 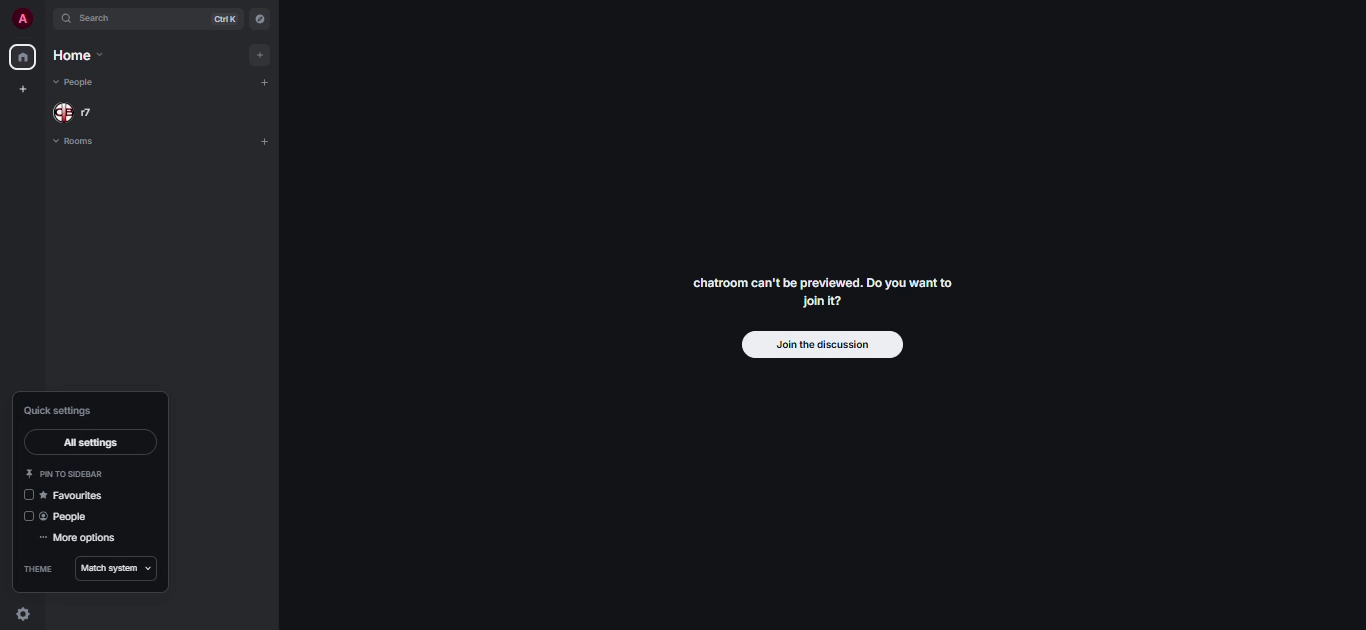 I want to click on rooms, so click(x=82, y=144).